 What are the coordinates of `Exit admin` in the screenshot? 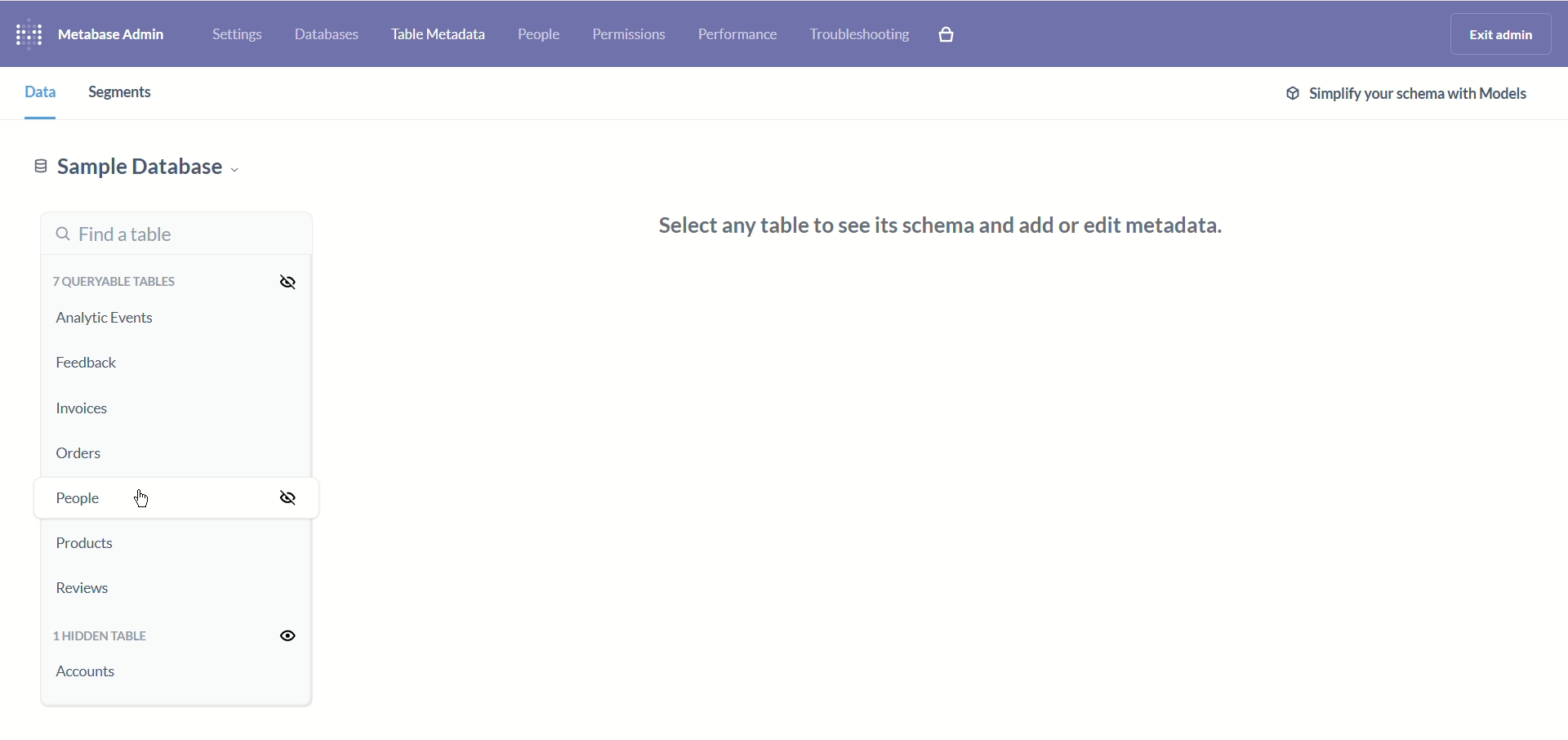 It's located at (1503, 33).